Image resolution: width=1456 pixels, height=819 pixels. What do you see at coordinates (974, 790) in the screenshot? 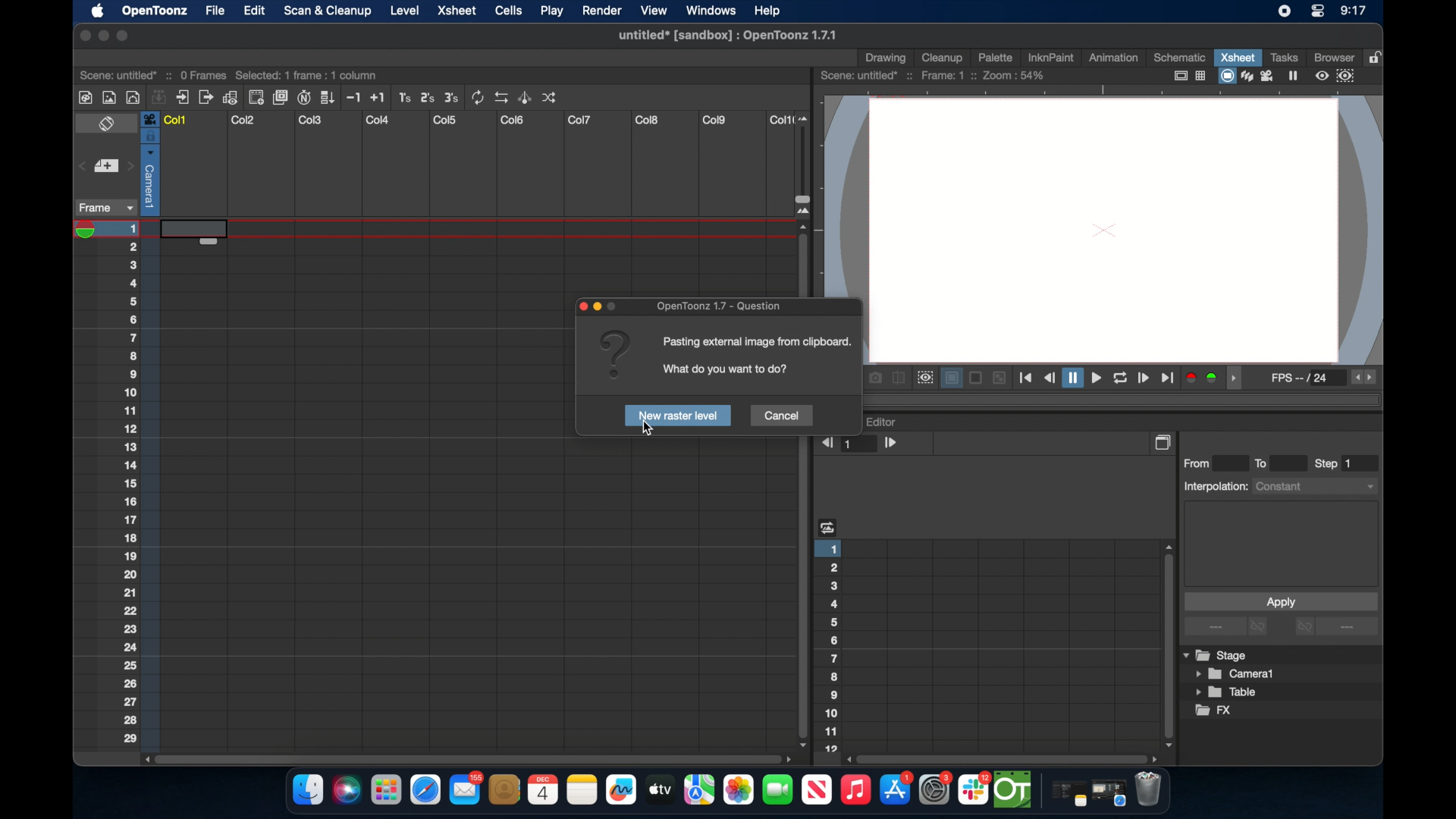
I see `slack` at bounding box center [974, 790].